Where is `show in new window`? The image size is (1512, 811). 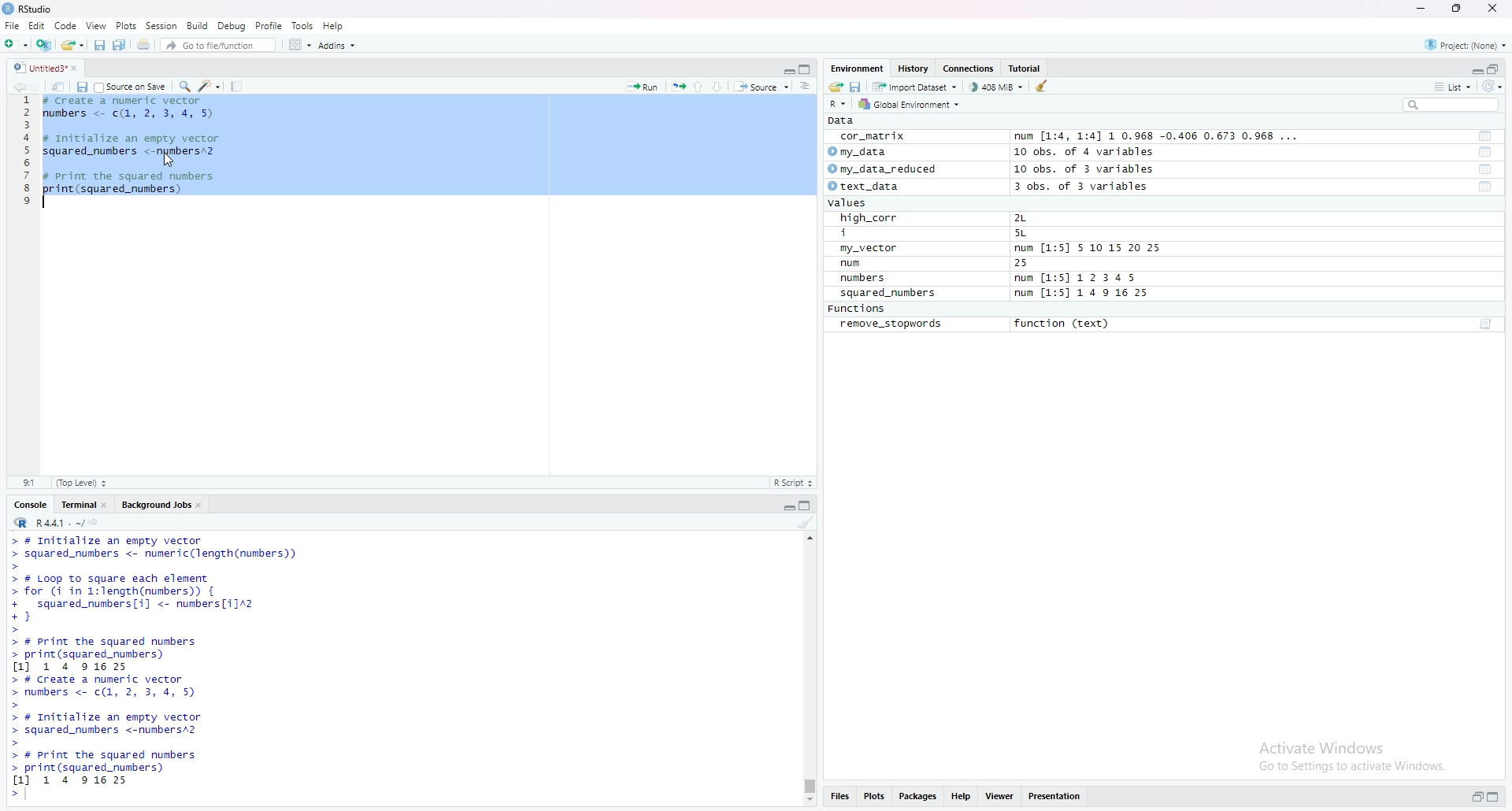
show in new window is located at coordinates (58, 85).